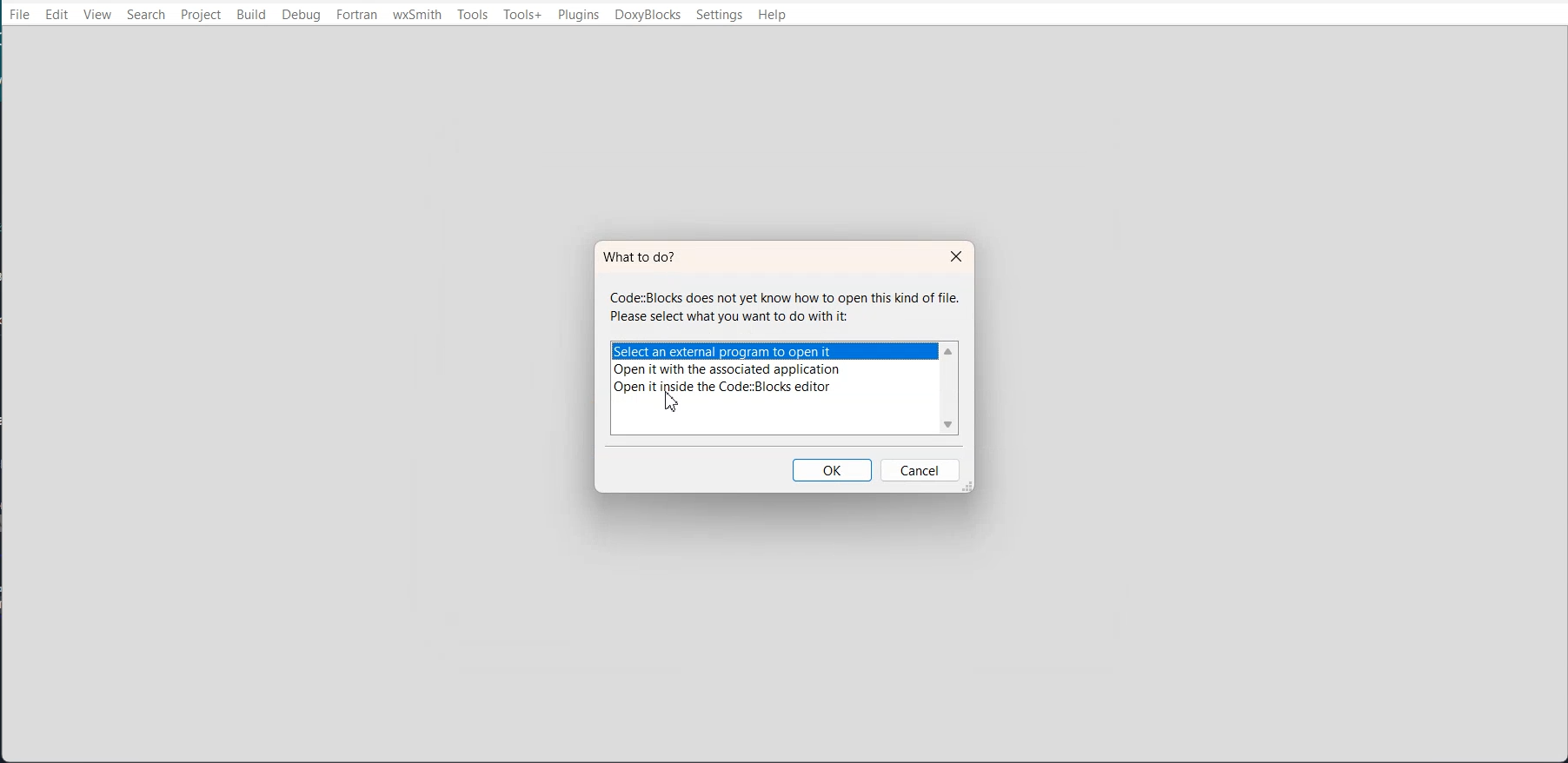 The width and height of the screenshot is (1568, 763). What do you see at coordinates (252, 15) in the screenshot?
I see `Build` at bounding box center [252, 15].